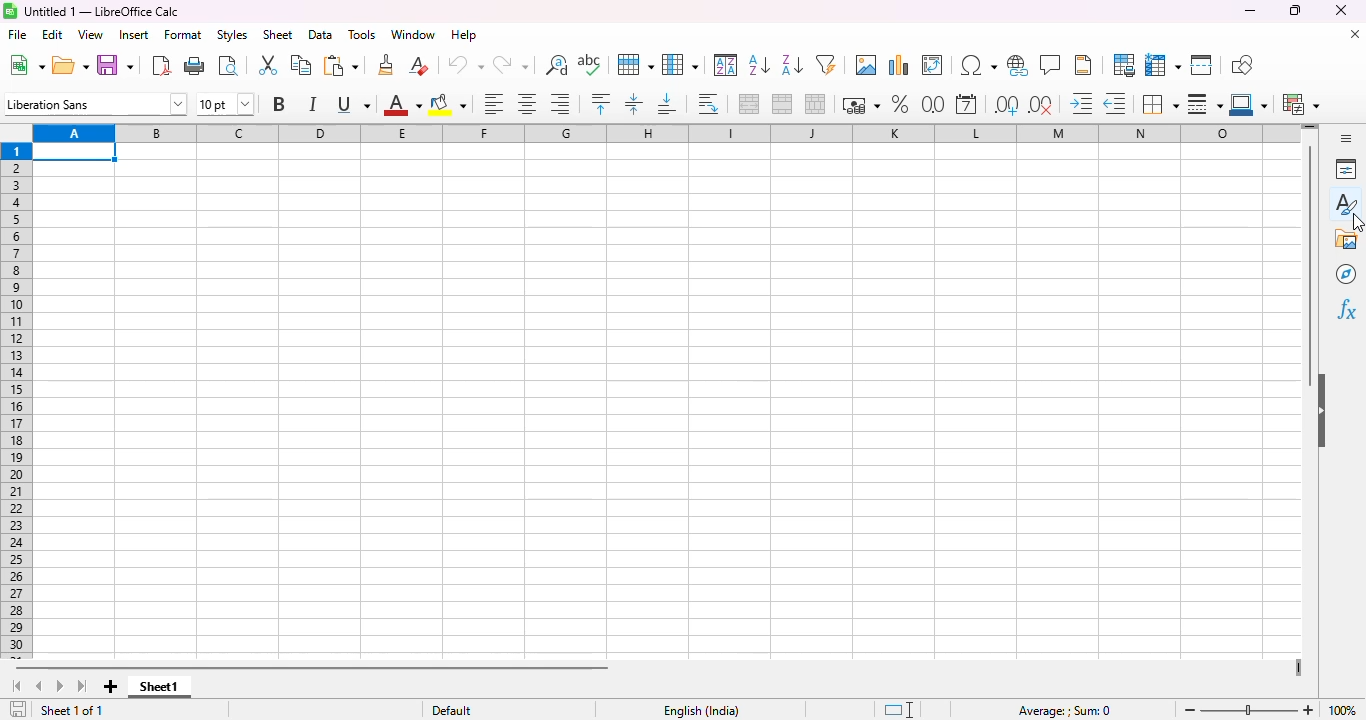 This screenshot has width=1366, height=720. What do you see at coordinates (1357, 220) in the screenshot?
I see `cursor` at bounding box center [1357, 220].